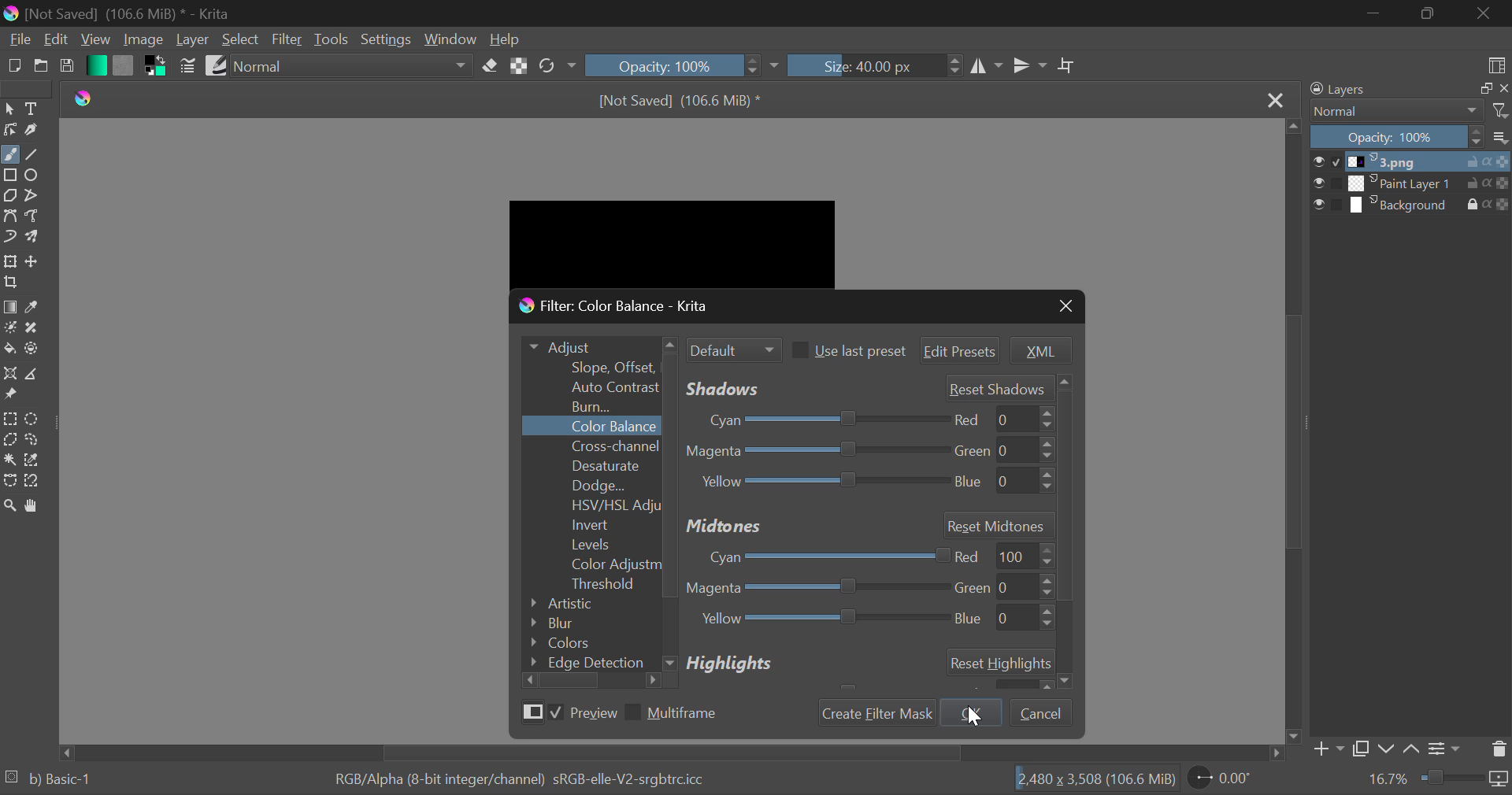 This screenshot has height=795, width=1512. What do you see at coordinates (287, 40) in the screenshot?
I see `Filter` at bounding box center [287, 40].